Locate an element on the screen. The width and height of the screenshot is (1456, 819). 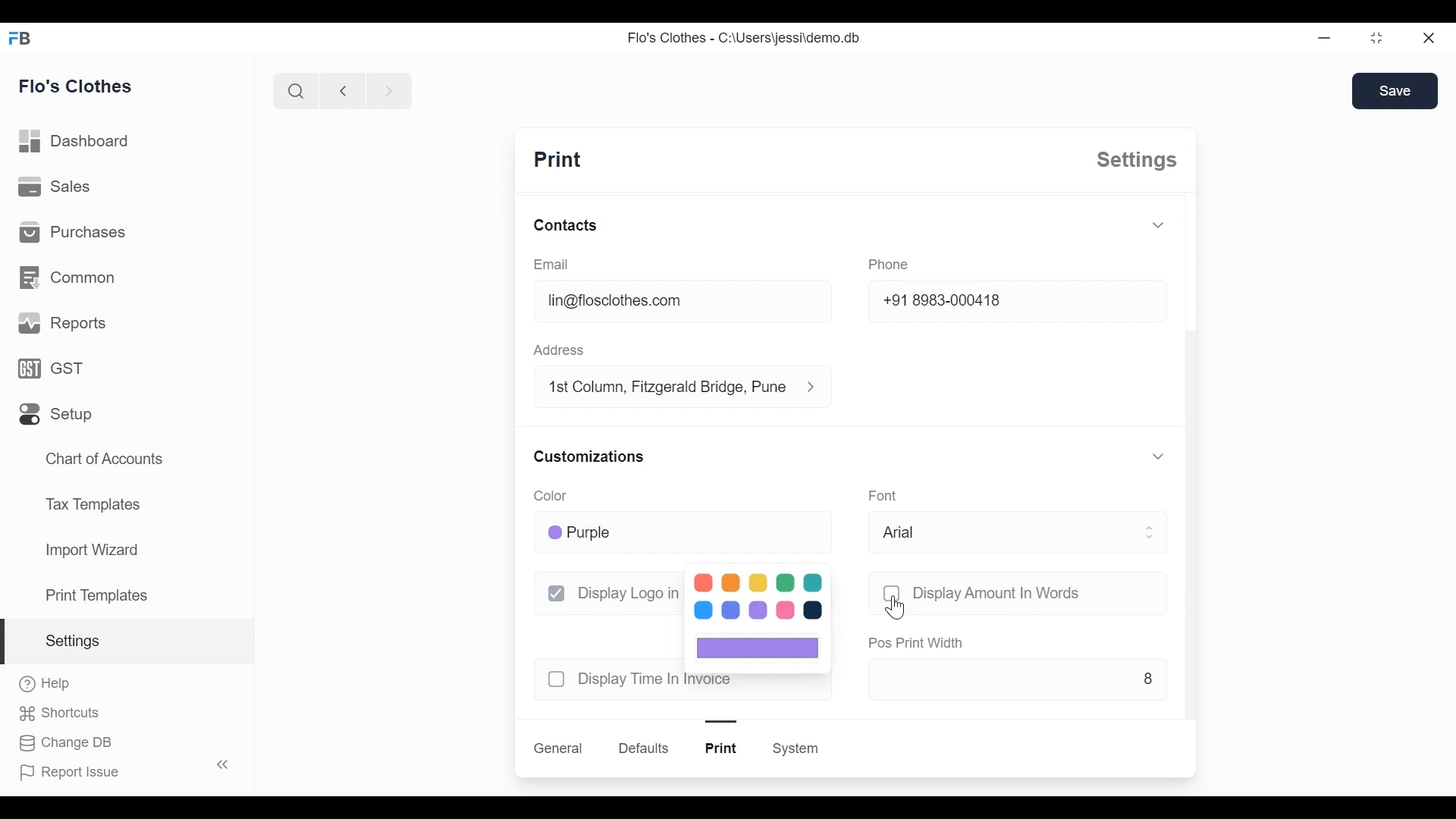
print is located at coordinates (722, 748).